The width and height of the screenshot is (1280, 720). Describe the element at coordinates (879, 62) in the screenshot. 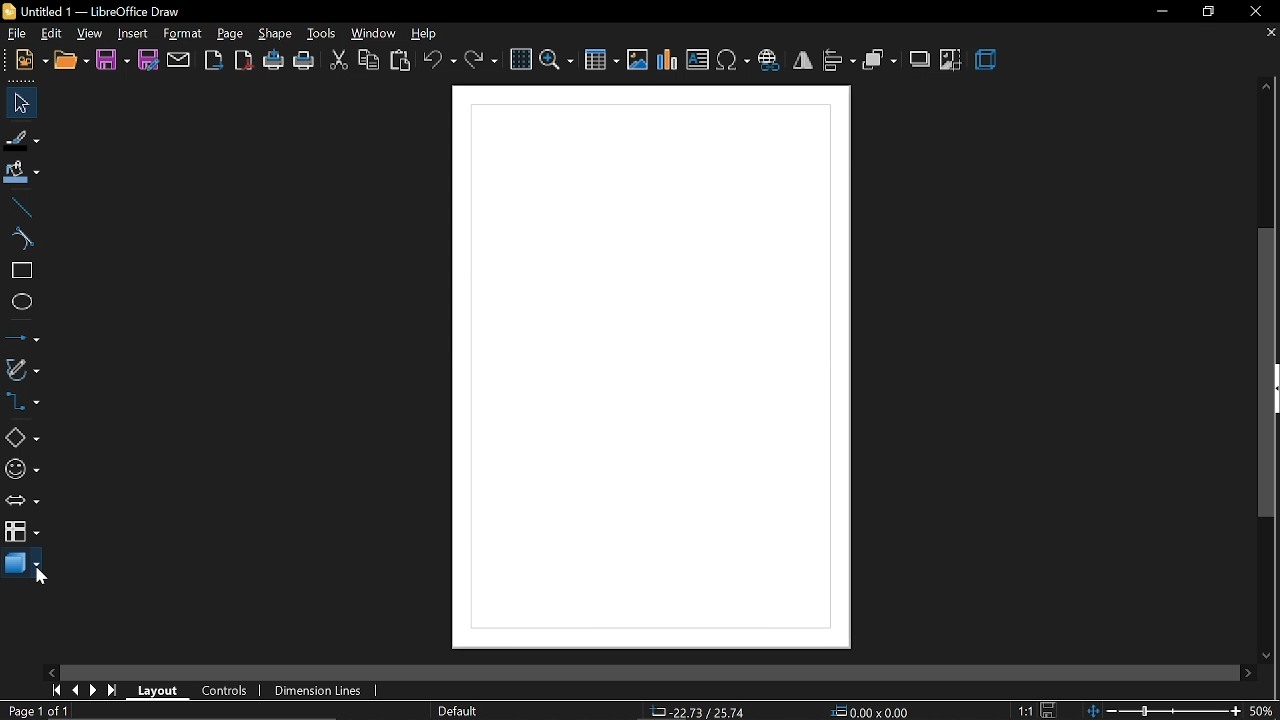

I see `arrange` at that location.